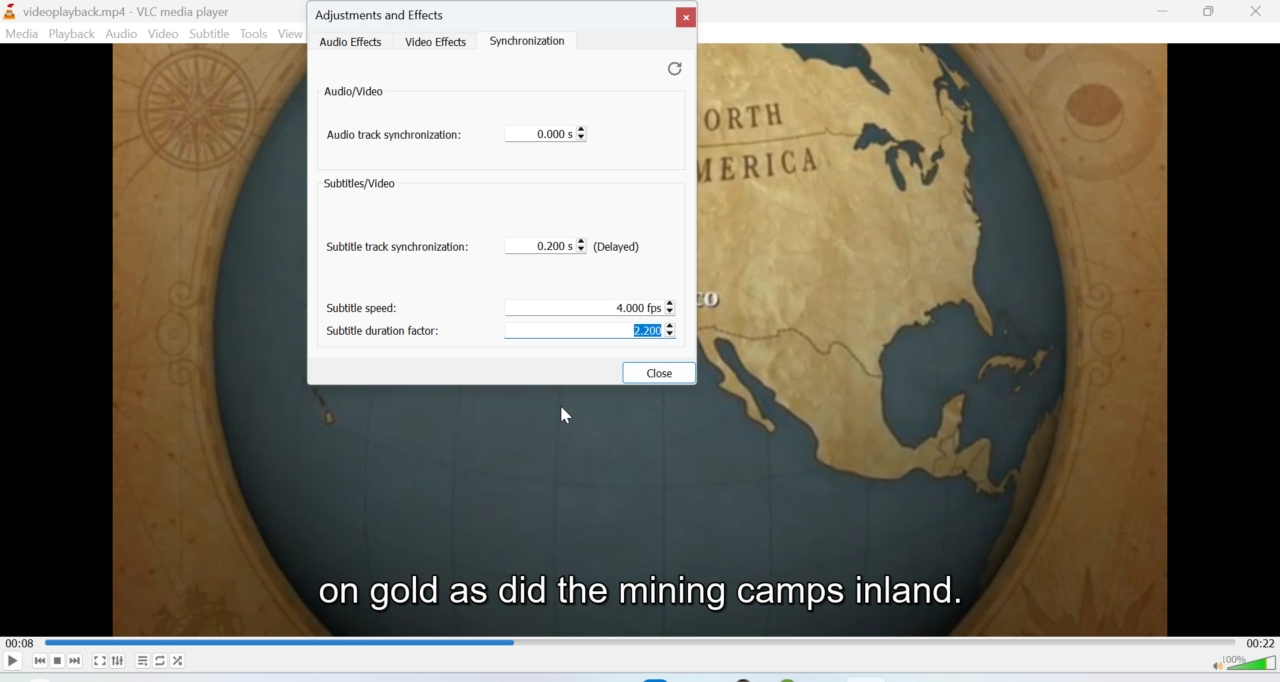 This screenshot has width=1280, height=682. I want to click on subtitles/video, so click(362, 185).